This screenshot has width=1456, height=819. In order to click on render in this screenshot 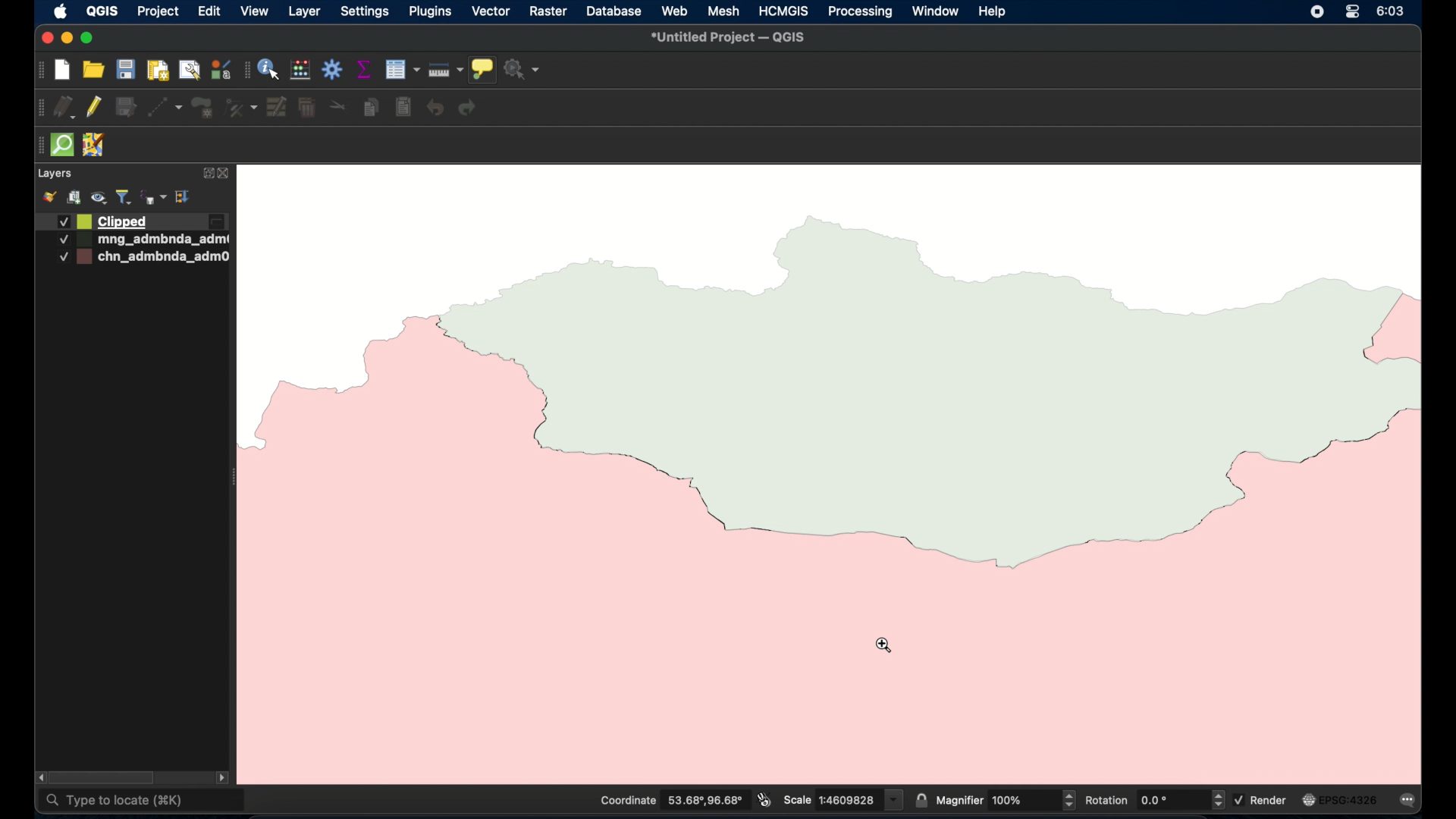, I will do `click(1263, 799)`.